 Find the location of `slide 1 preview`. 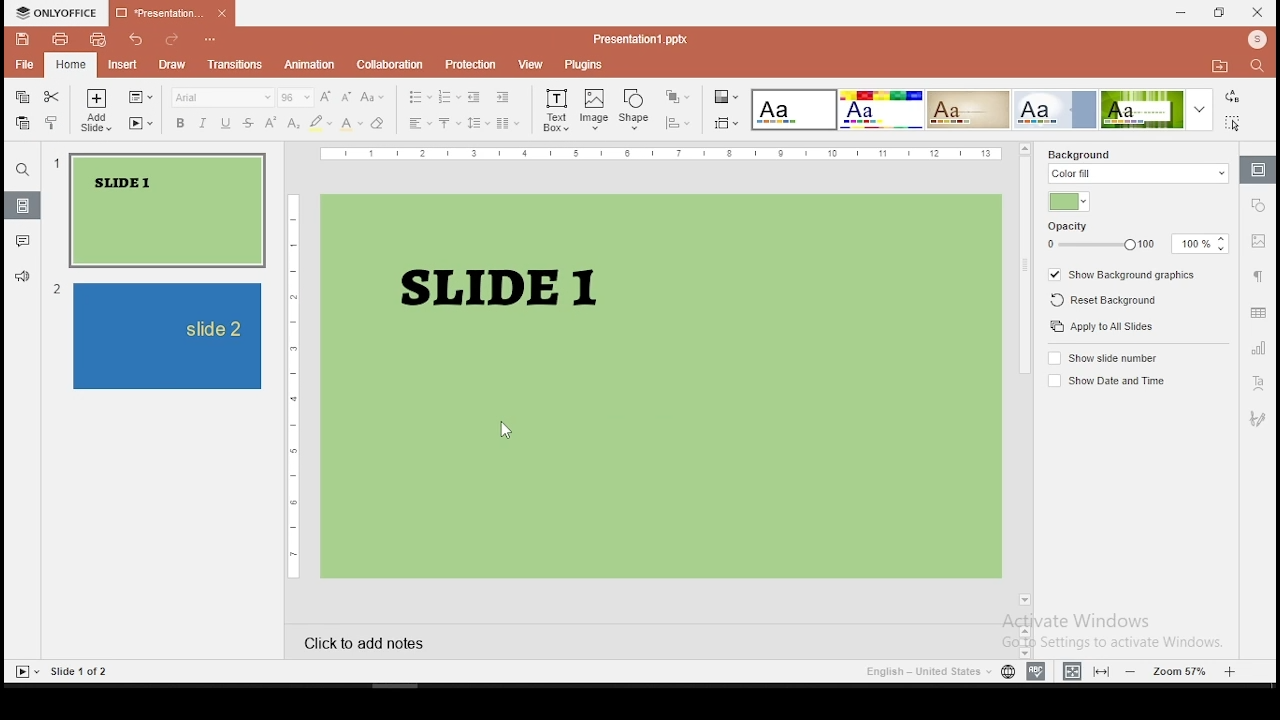

slide 1 preview is located at coordinates (160, 211).